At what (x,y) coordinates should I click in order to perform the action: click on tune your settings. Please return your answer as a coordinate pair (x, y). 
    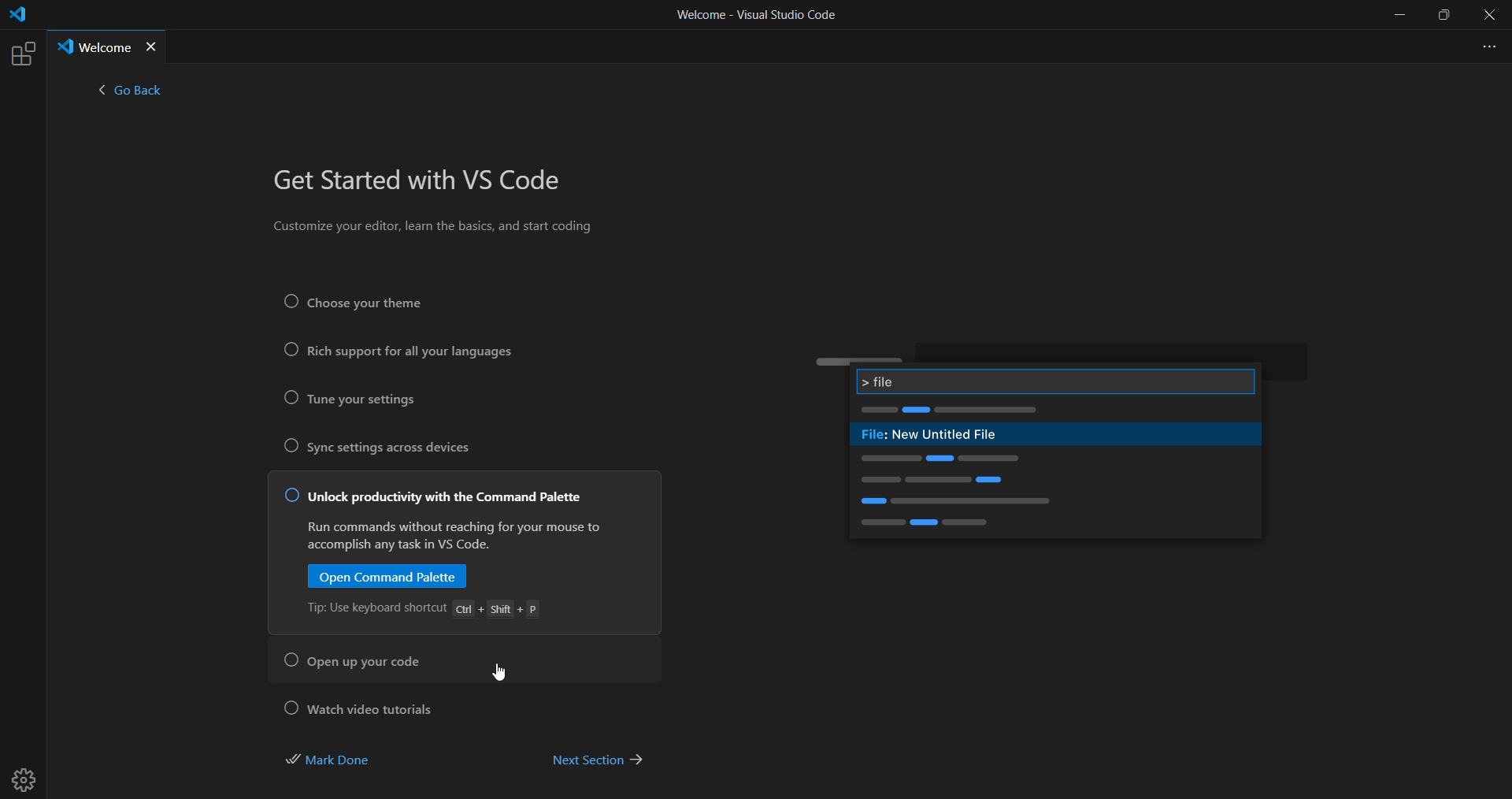
    Looking at the image, I should click on (358, 400).